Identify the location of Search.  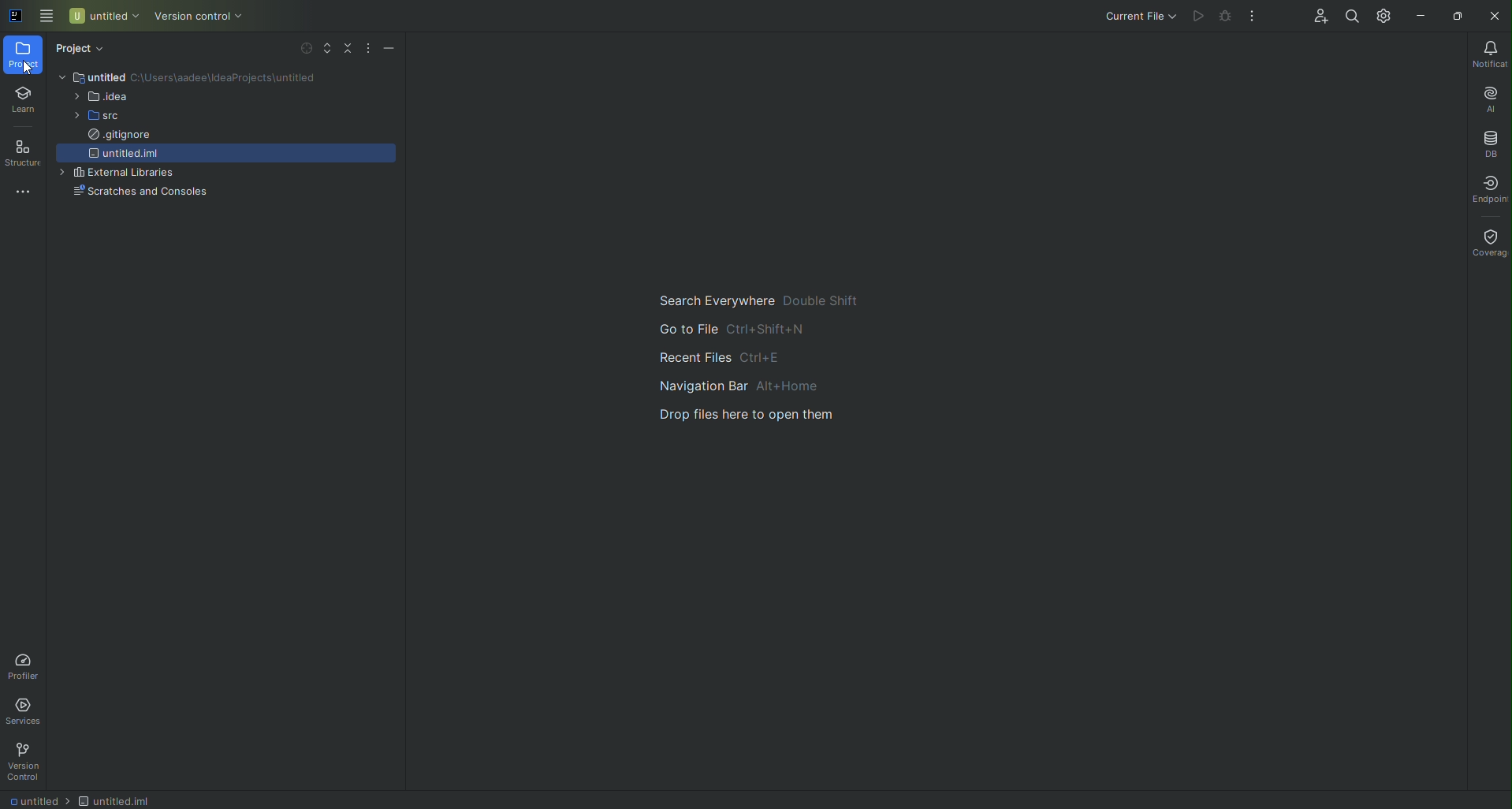
(1350, 17).